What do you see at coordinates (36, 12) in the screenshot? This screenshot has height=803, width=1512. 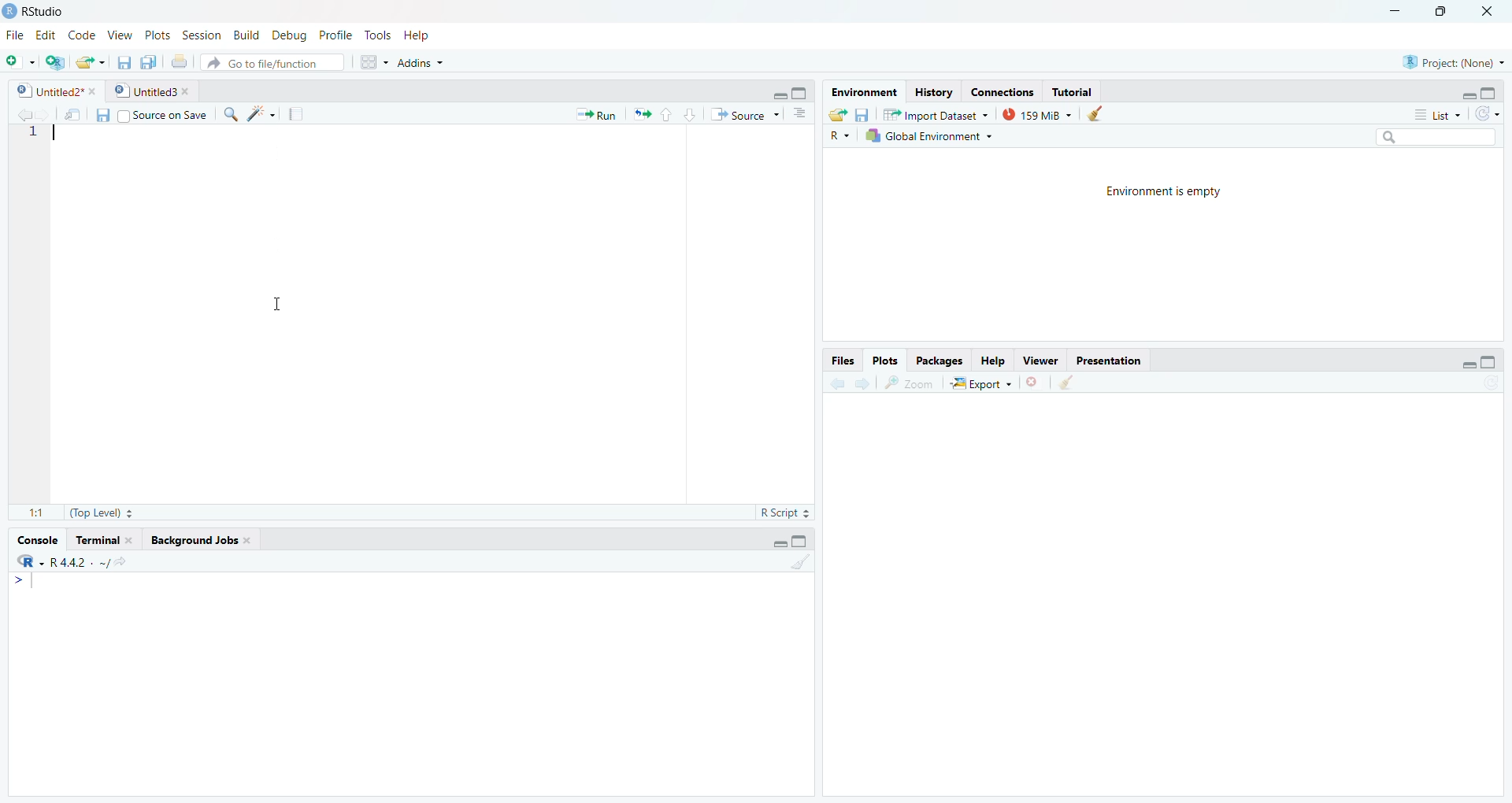 I see `RStudio` at bounding box center [36, 12].